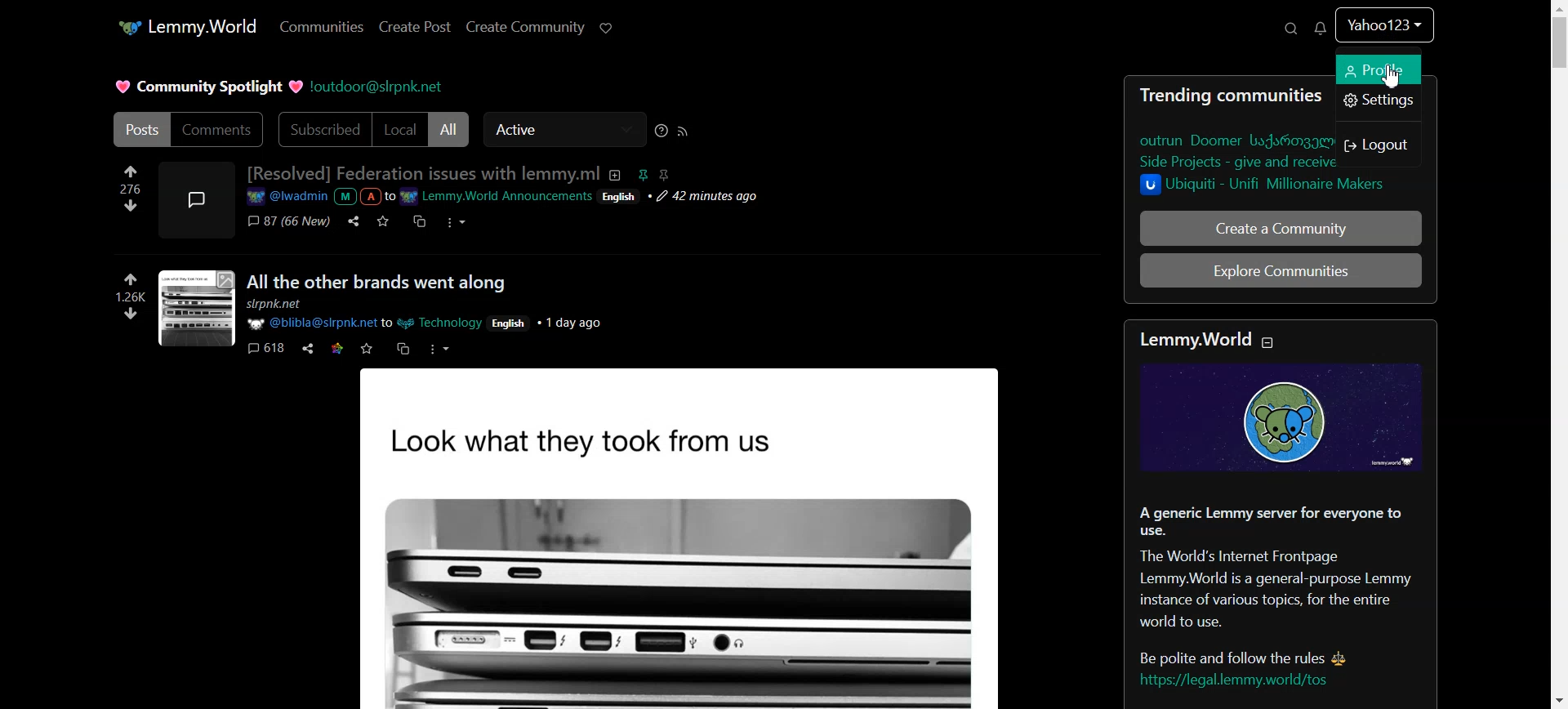  I want to click on @blibla@slrpnk.net, so click(310, 323).